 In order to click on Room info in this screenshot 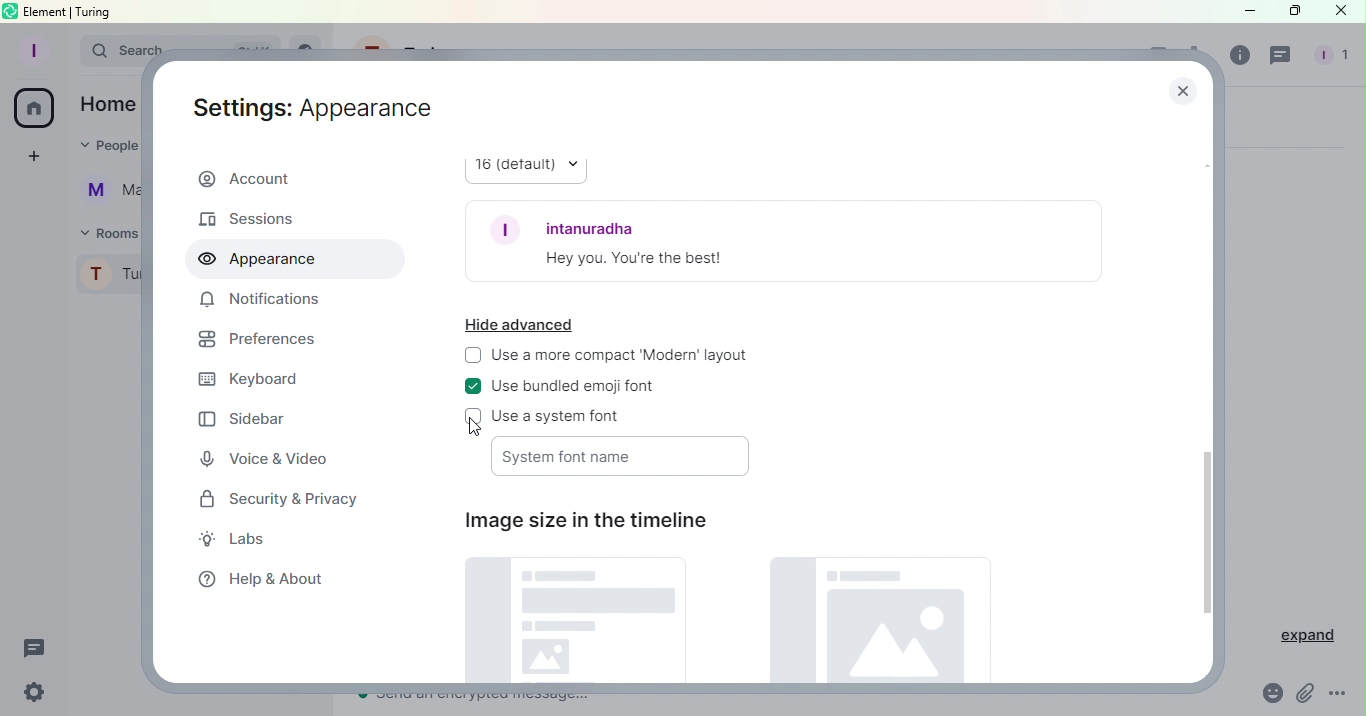, I will do `click(1239, 54)`.